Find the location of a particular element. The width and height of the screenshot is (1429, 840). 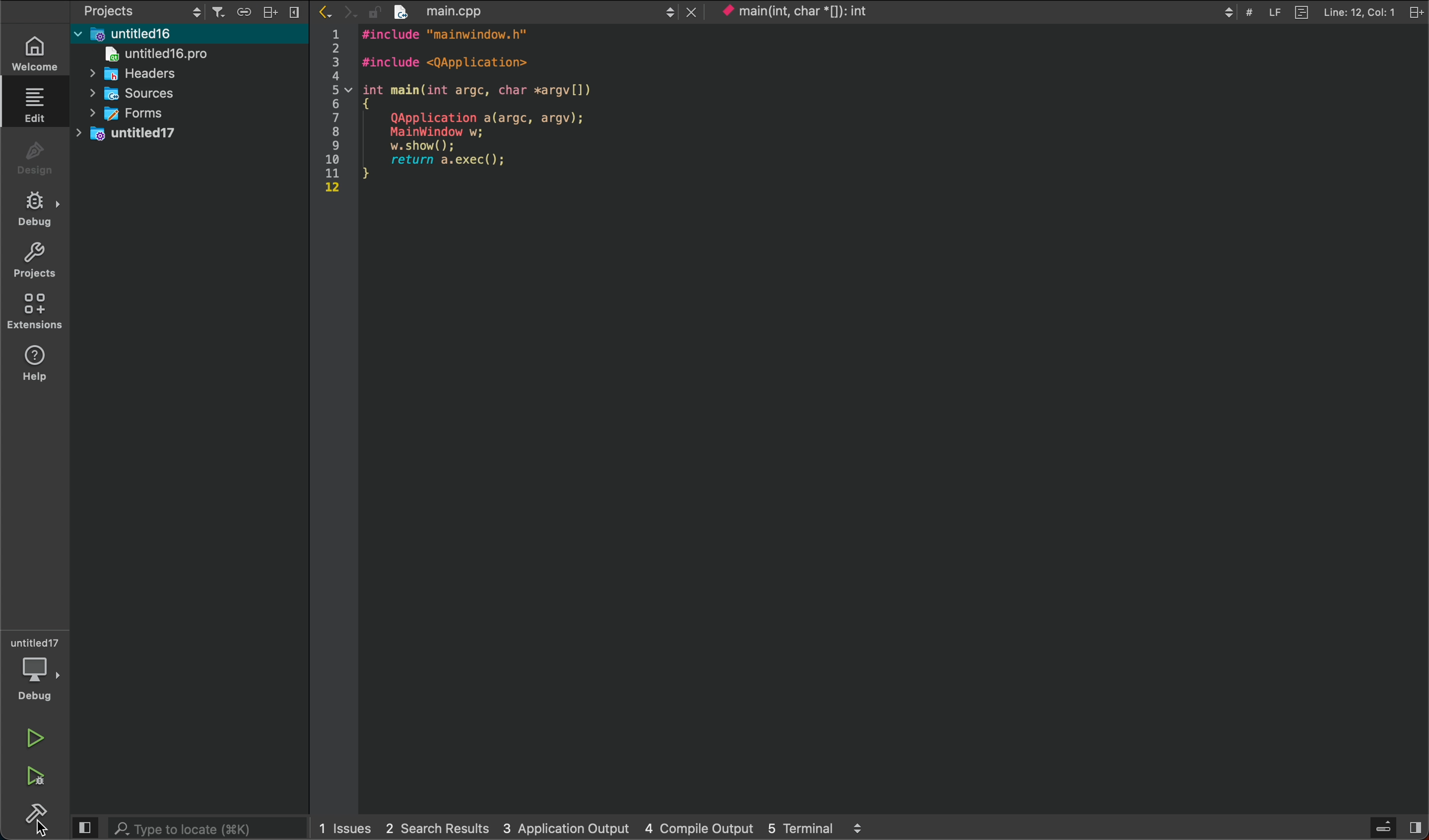

untitled 16 is located at coordinates (161, 32).